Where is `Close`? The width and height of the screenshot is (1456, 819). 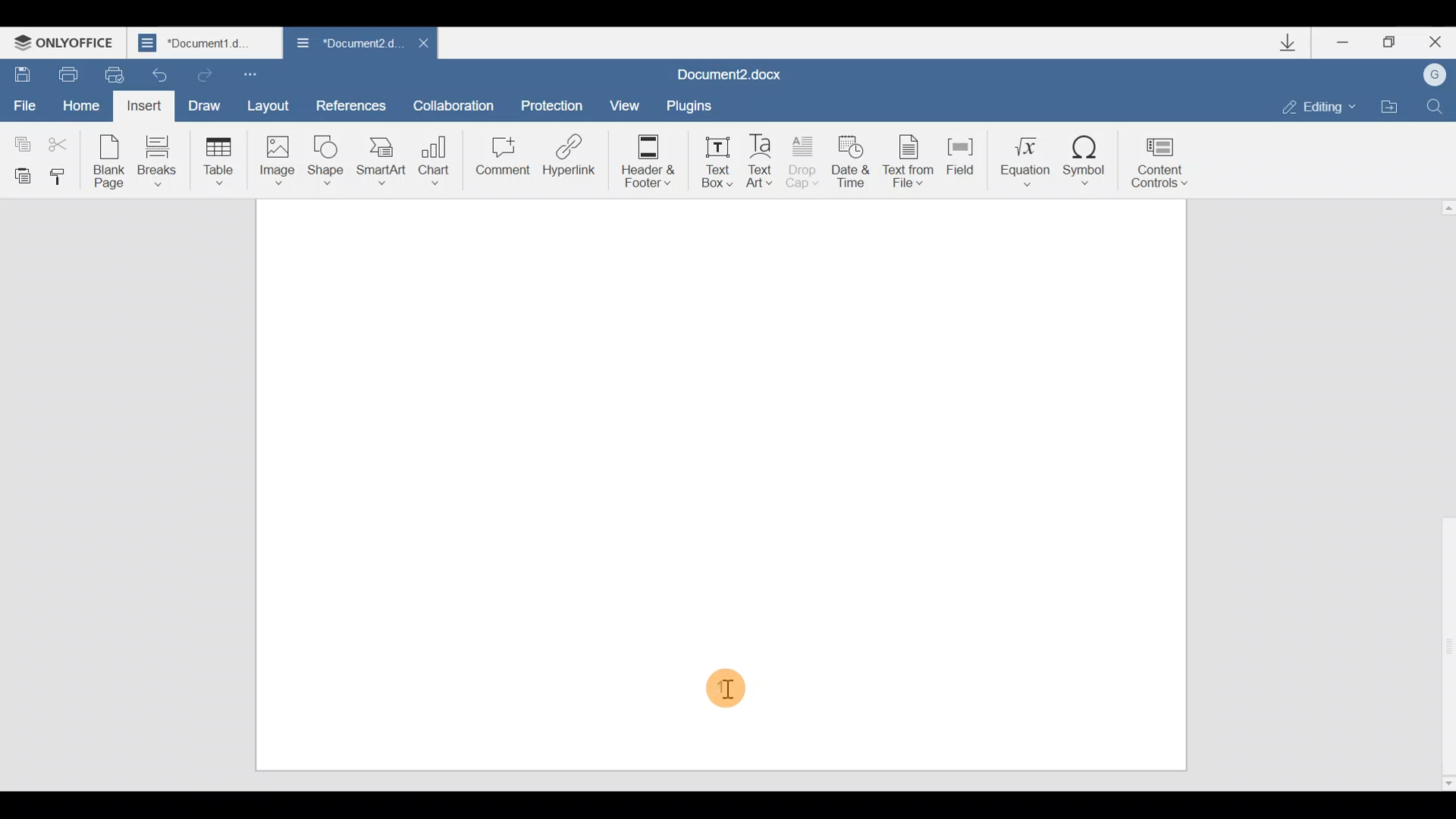 Close is located at coordinates (1435, 42).